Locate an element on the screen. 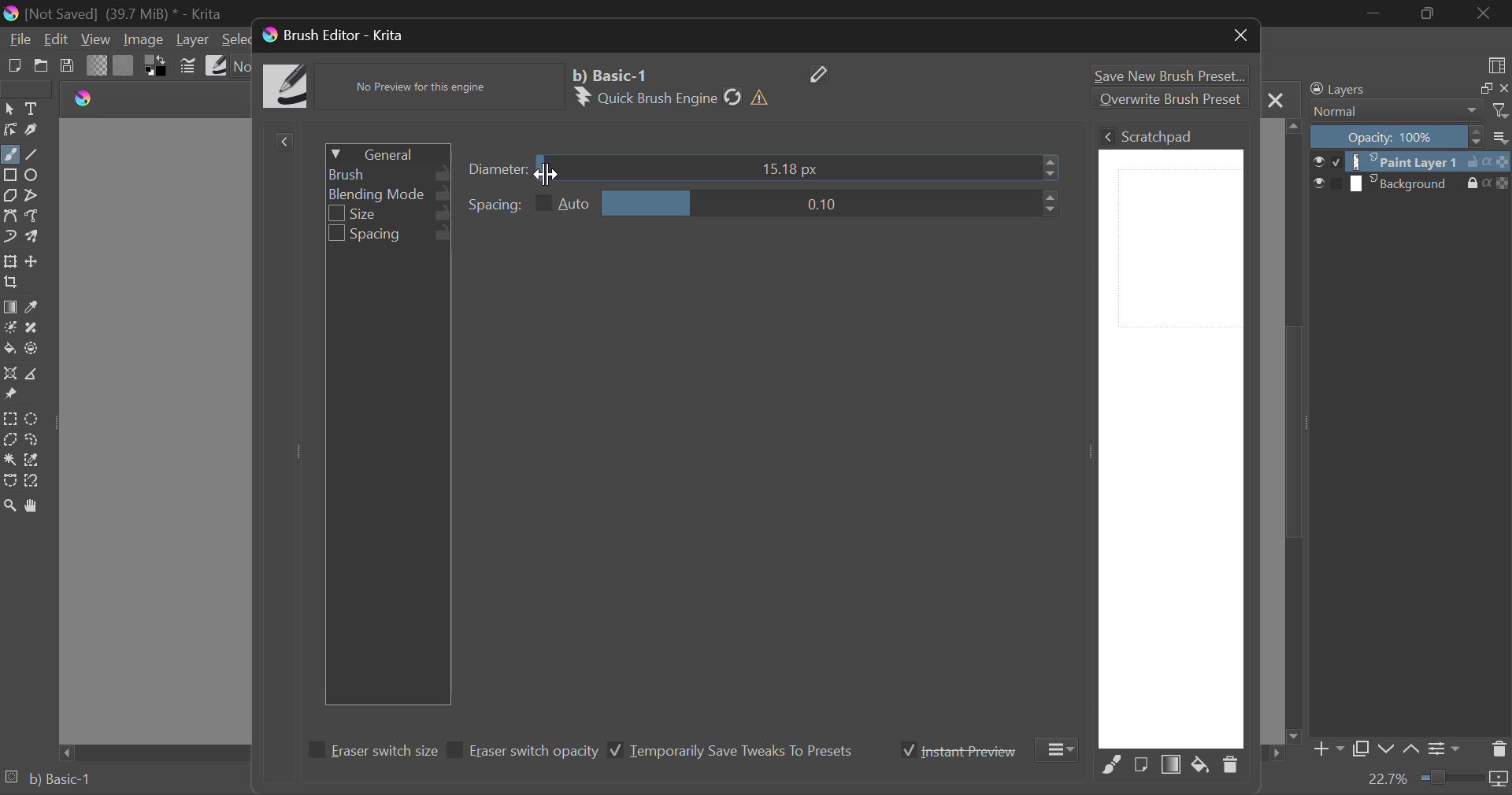 Image resolution: width=1512 pixels, height=795 pixels. Eraser switch opacity is located at coordinates (524, 752).